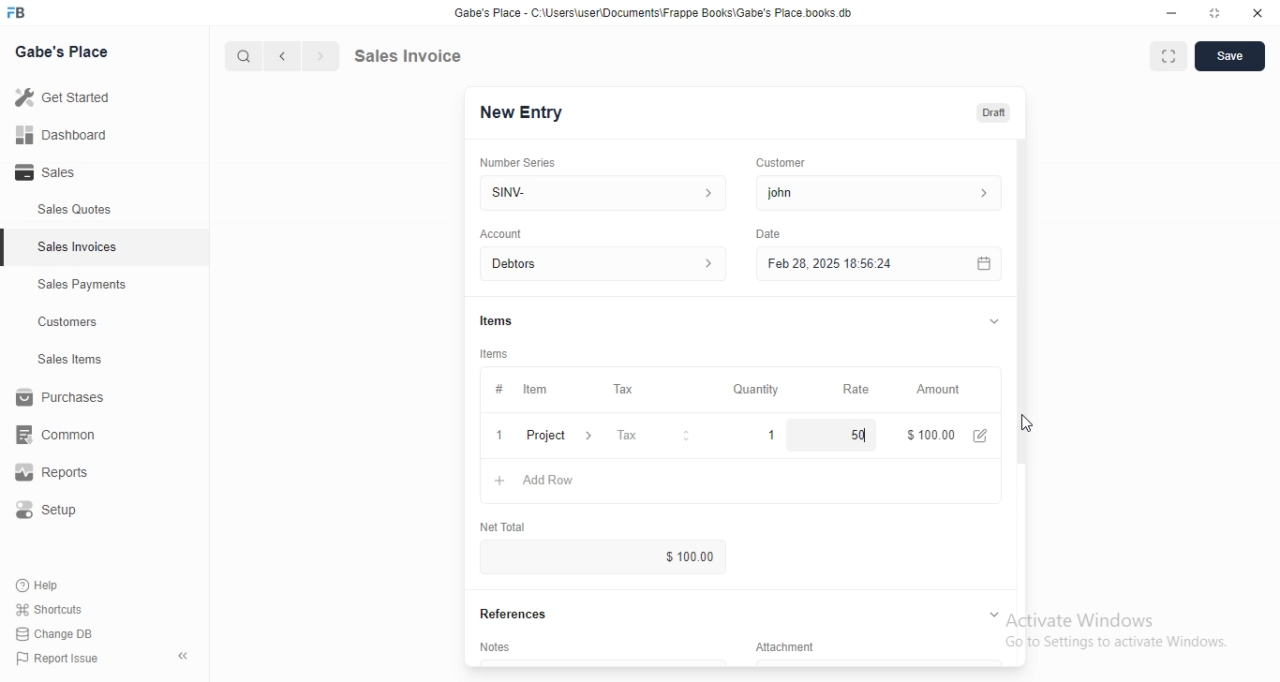 The image size is (1280, 682). I want to click on Customer, so click(789, 161).